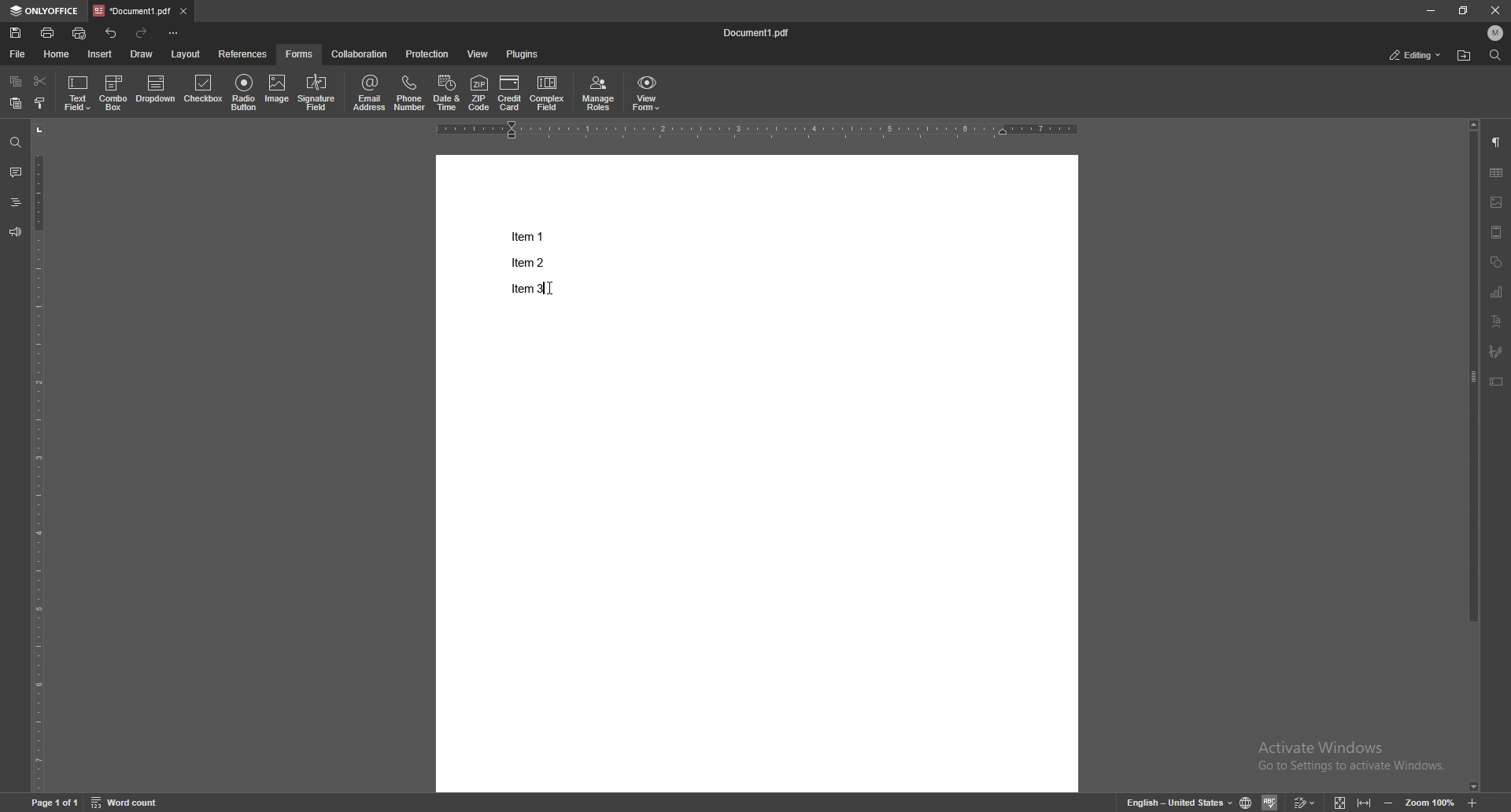 This screenshot has width=1511, height=812. What do you see at coordinates (1497, 231) in the screenshot?
I see `header and footer` at bounding box center [1497, 231].